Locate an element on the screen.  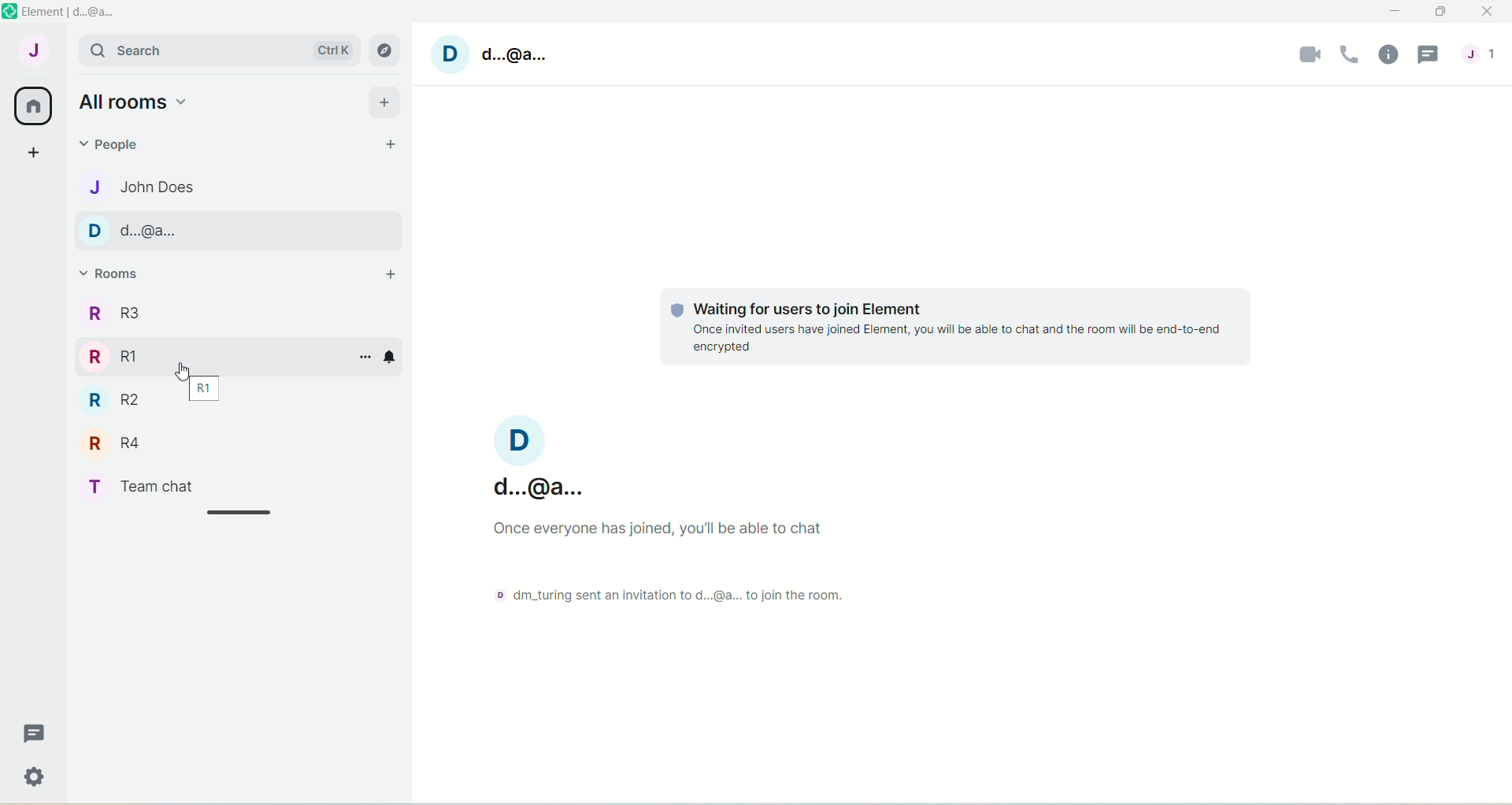
room info is located at coordinates (1388, 55).